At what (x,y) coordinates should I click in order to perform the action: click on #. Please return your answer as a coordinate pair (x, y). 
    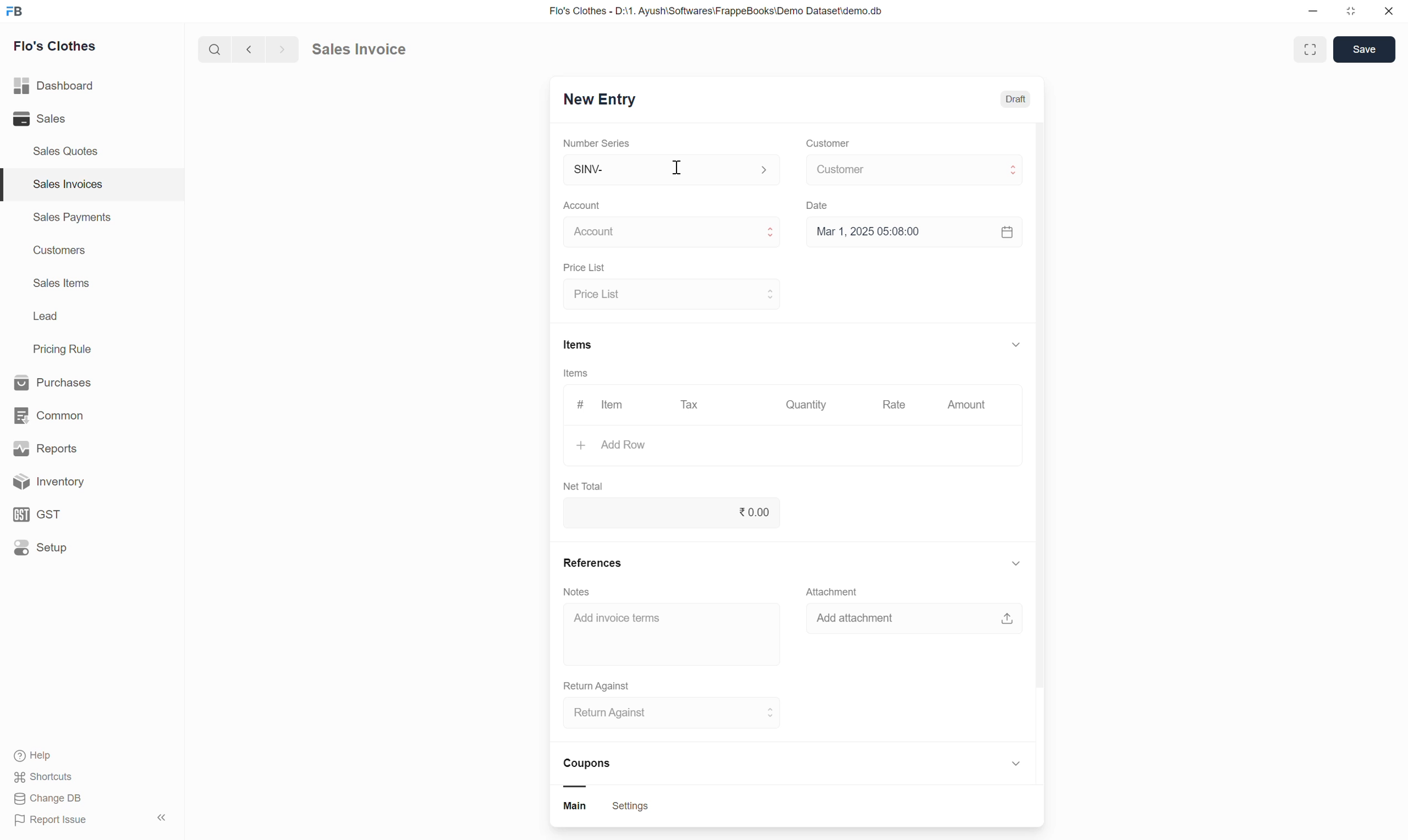
    Looking at the image, I should click on (577, 405).